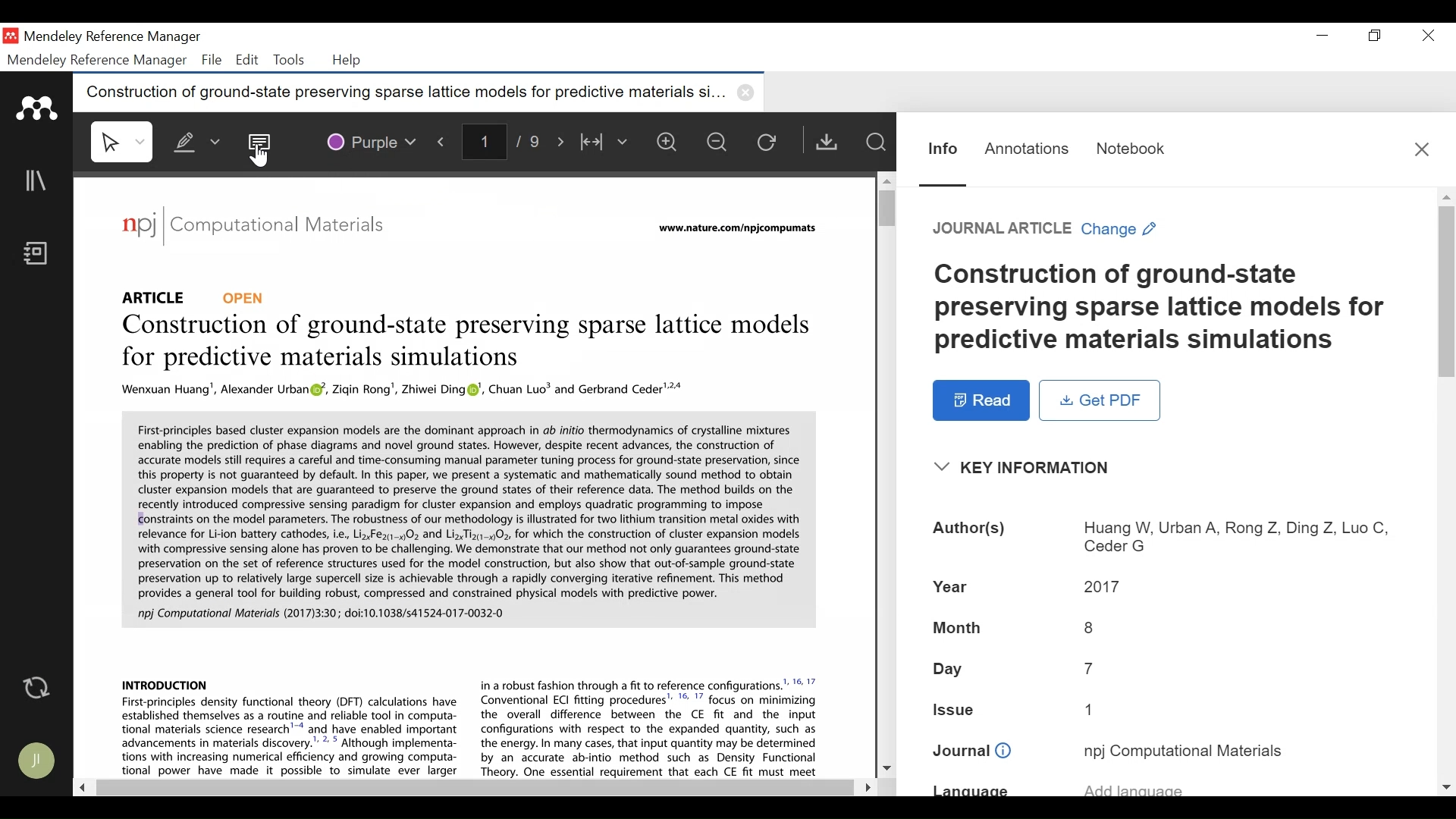  Describe the element at coordinates (38, 108) in the screenshot. I see `Mendeley Logo` at that location.